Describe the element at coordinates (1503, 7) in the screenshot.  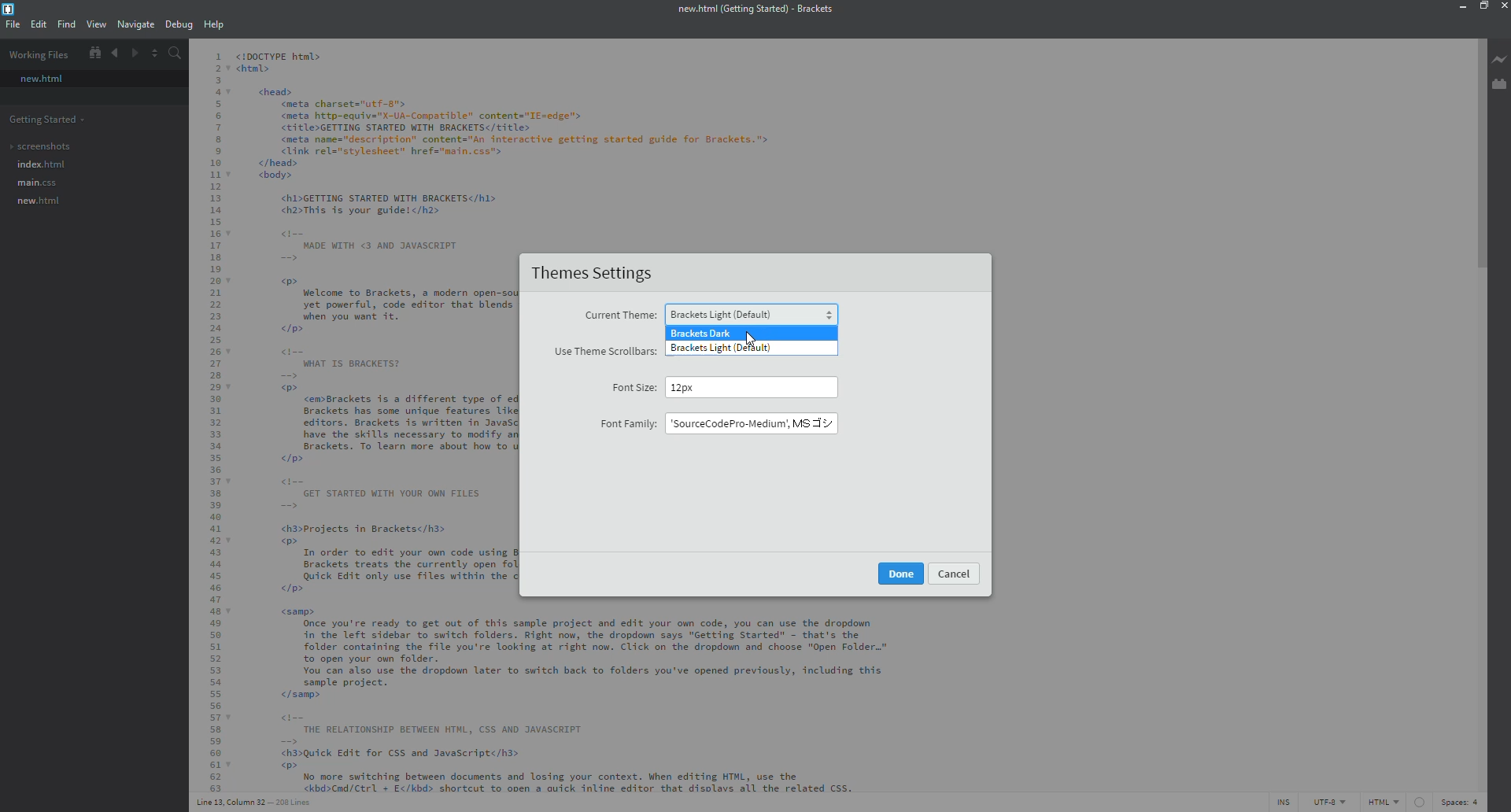
I see `close` at that location.